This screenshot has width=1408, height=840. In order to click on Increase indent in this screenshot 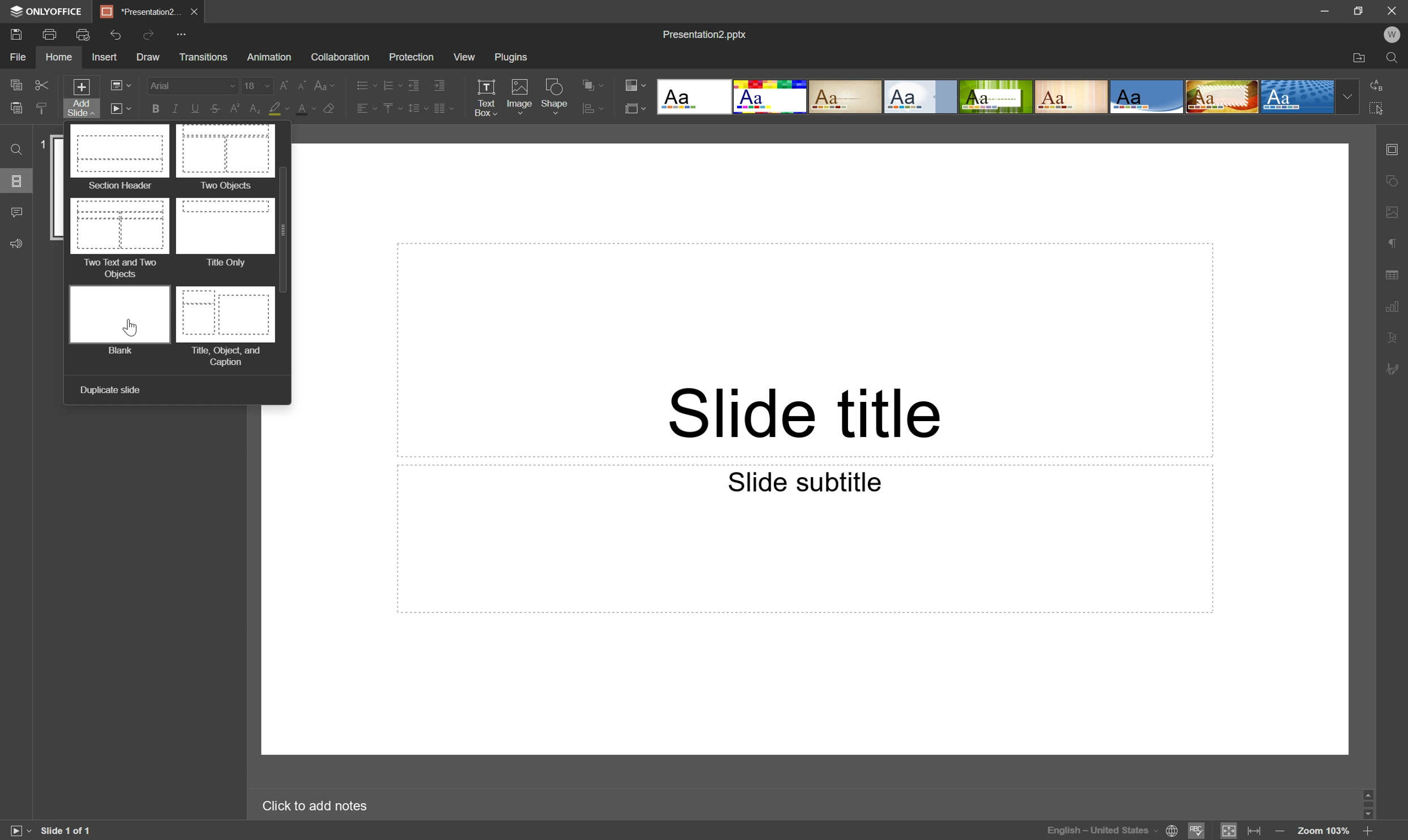, I will do `click(441, 84)`.